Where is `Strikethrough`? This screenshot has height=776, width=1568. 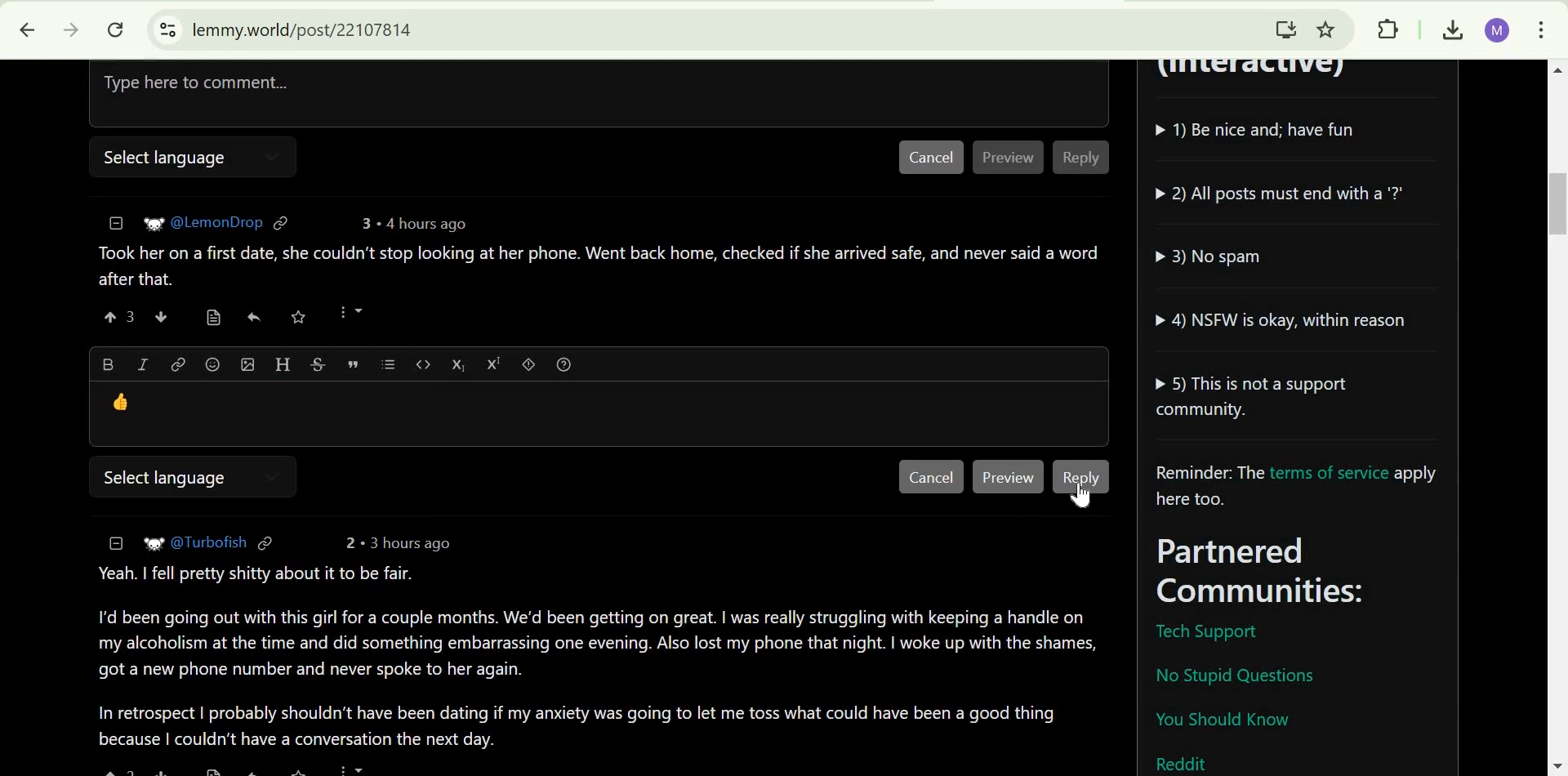
Strikethrough is located at coordinates (318, 362).